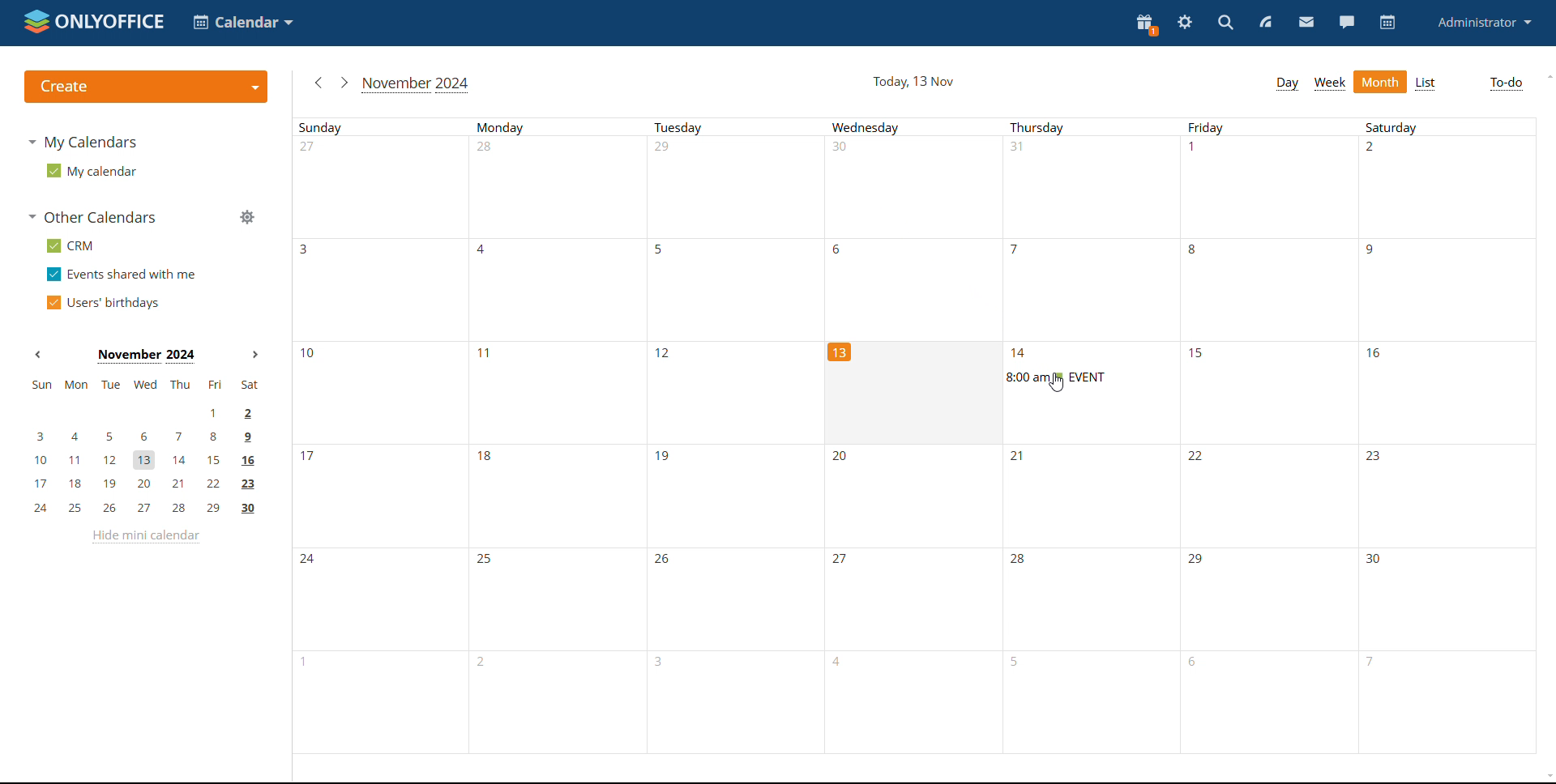 Image resolution: width=1556 pixels, height=784 pixels. Describe the element at coordinates (1331, 83) in the screenshot. I see `week view` at that location.